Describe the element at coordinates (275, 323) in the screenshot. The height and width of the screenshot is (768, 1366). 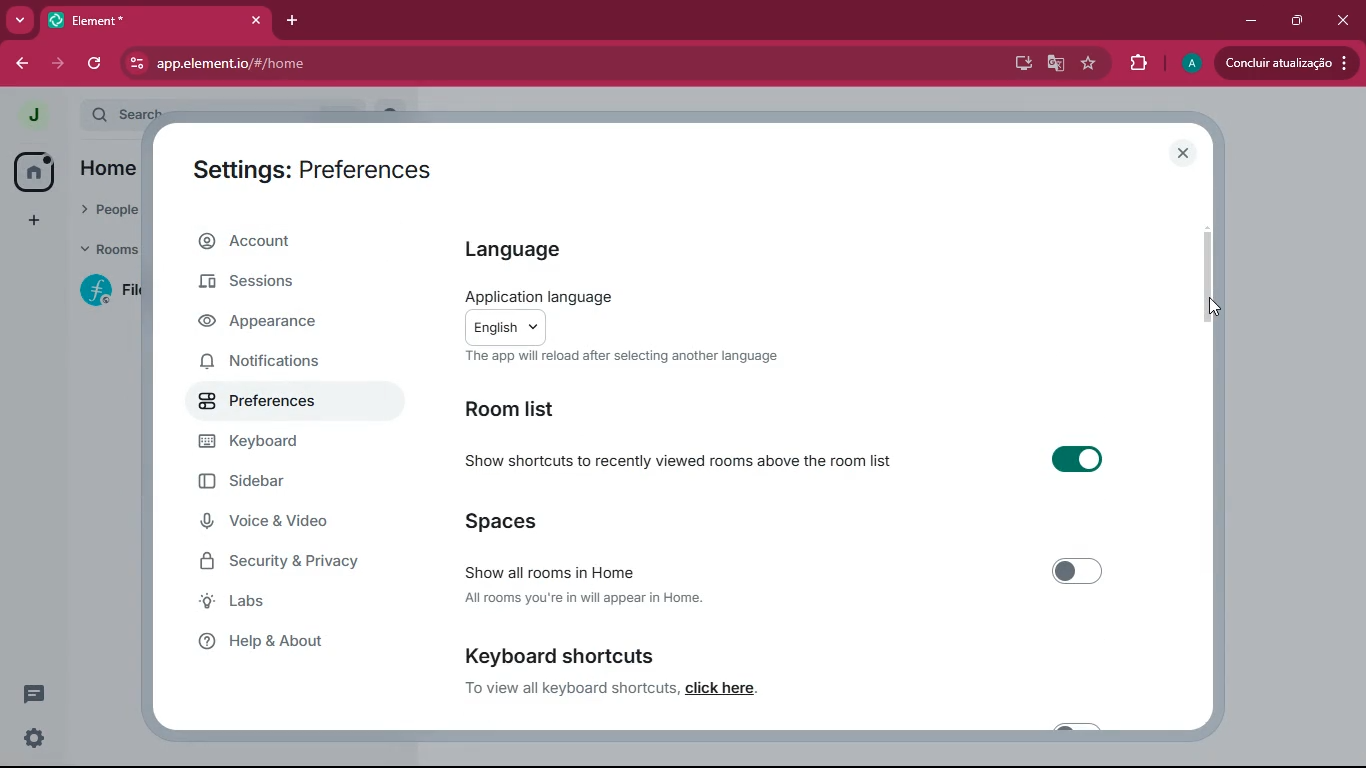
I see `appearance` at that location.